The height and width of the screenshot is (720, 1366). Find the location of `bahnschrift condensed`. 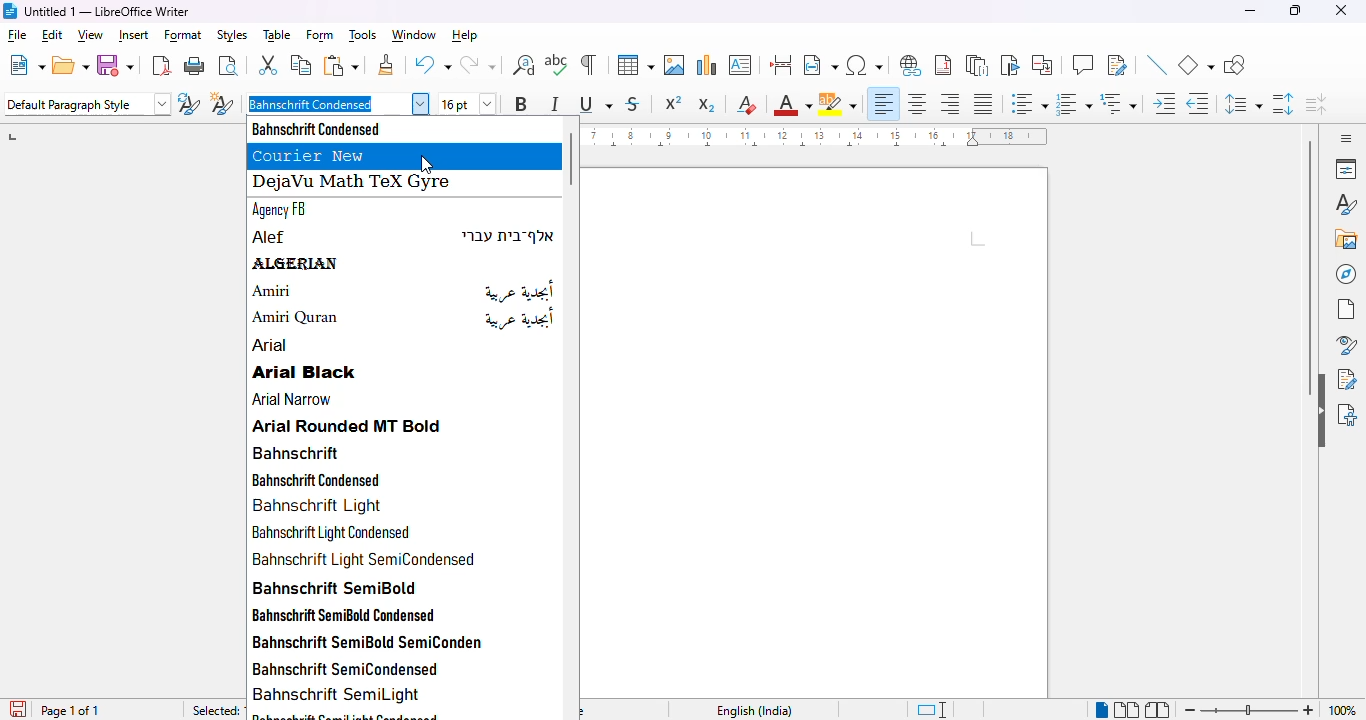

bahnschrift condensed is located at coordinates (318, 129).